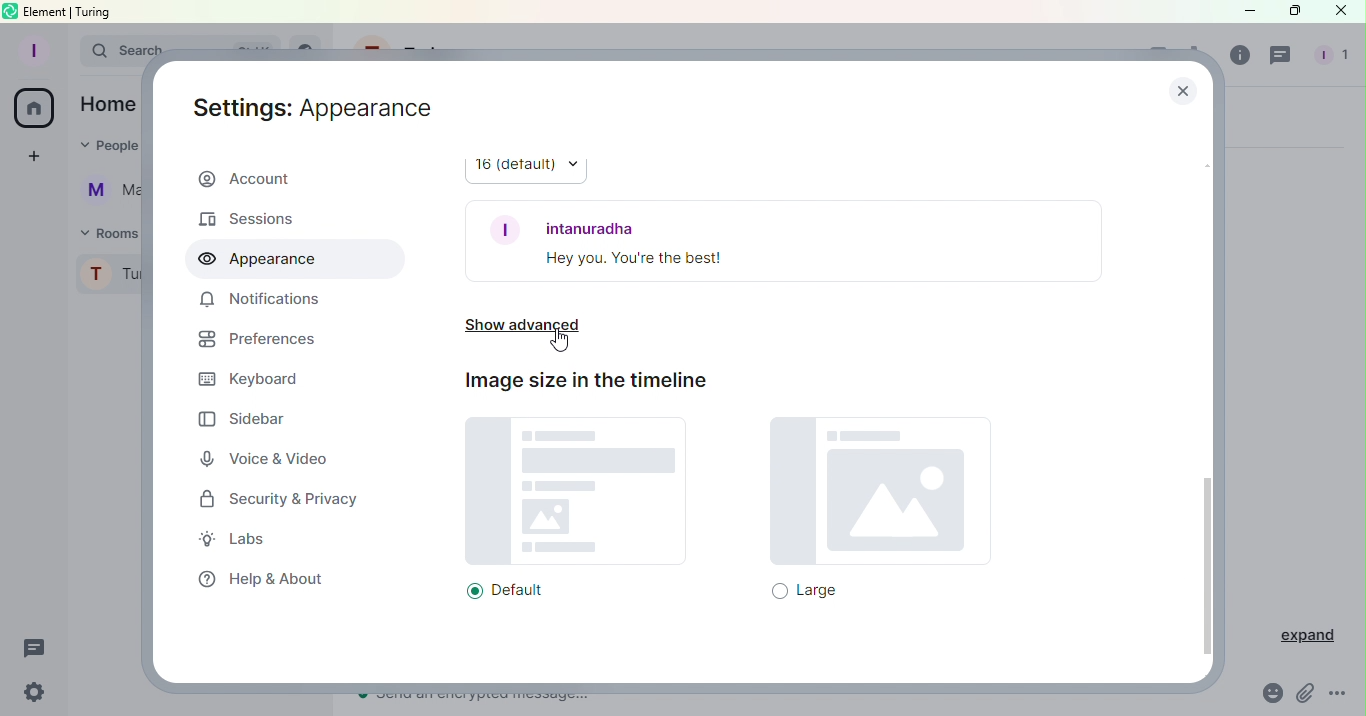  I want to click on More Options, so click(1344, 696).